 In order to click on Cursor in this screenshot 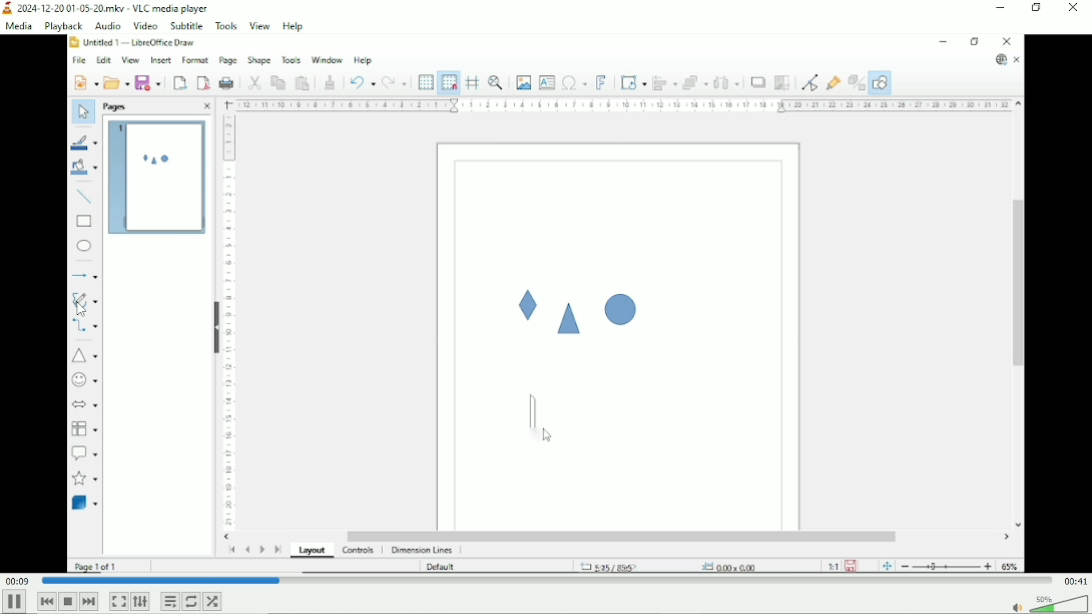, I will do `click(82, 309)`.